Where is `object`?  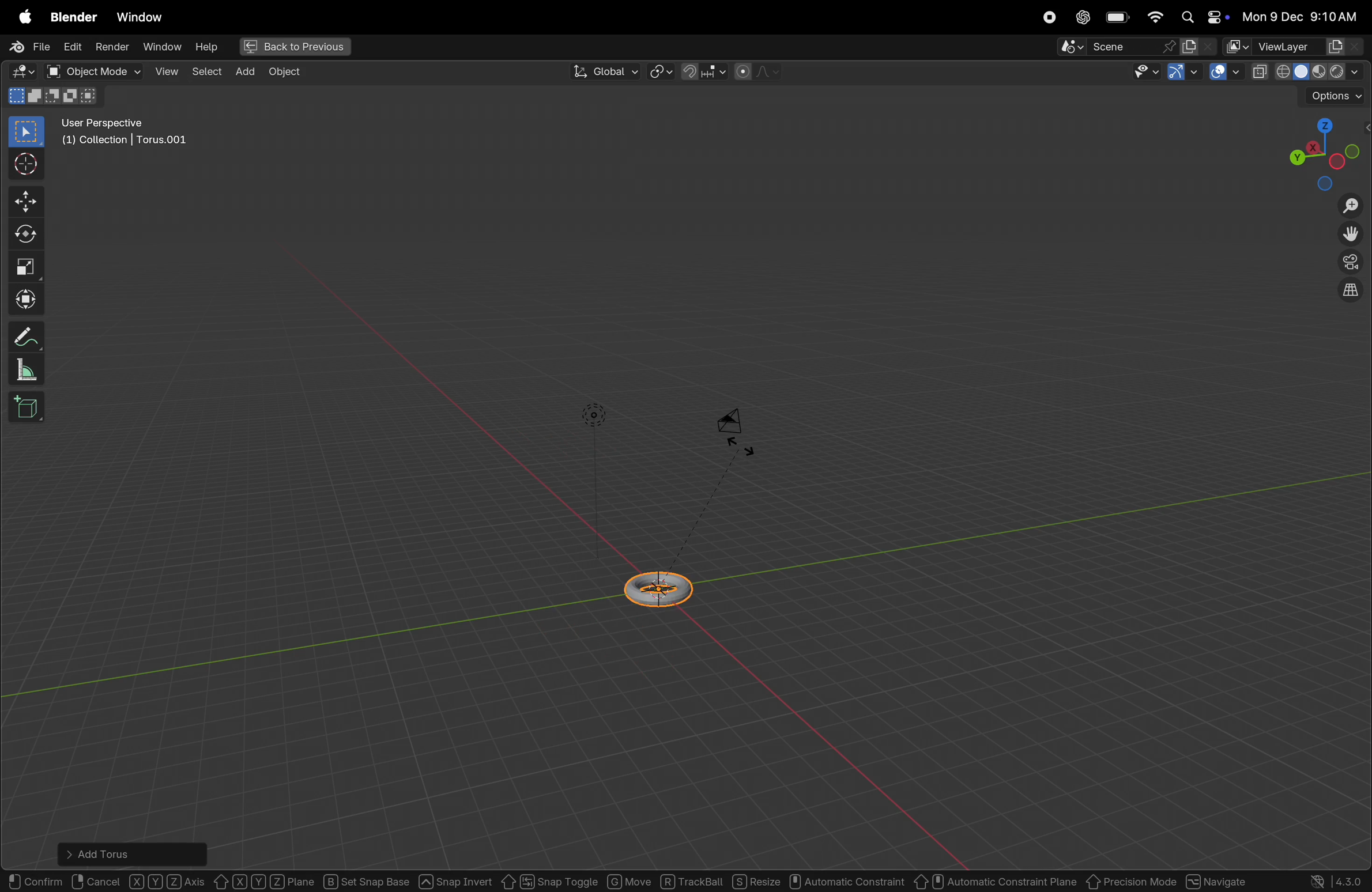
object is located at coordinates (285, 72).